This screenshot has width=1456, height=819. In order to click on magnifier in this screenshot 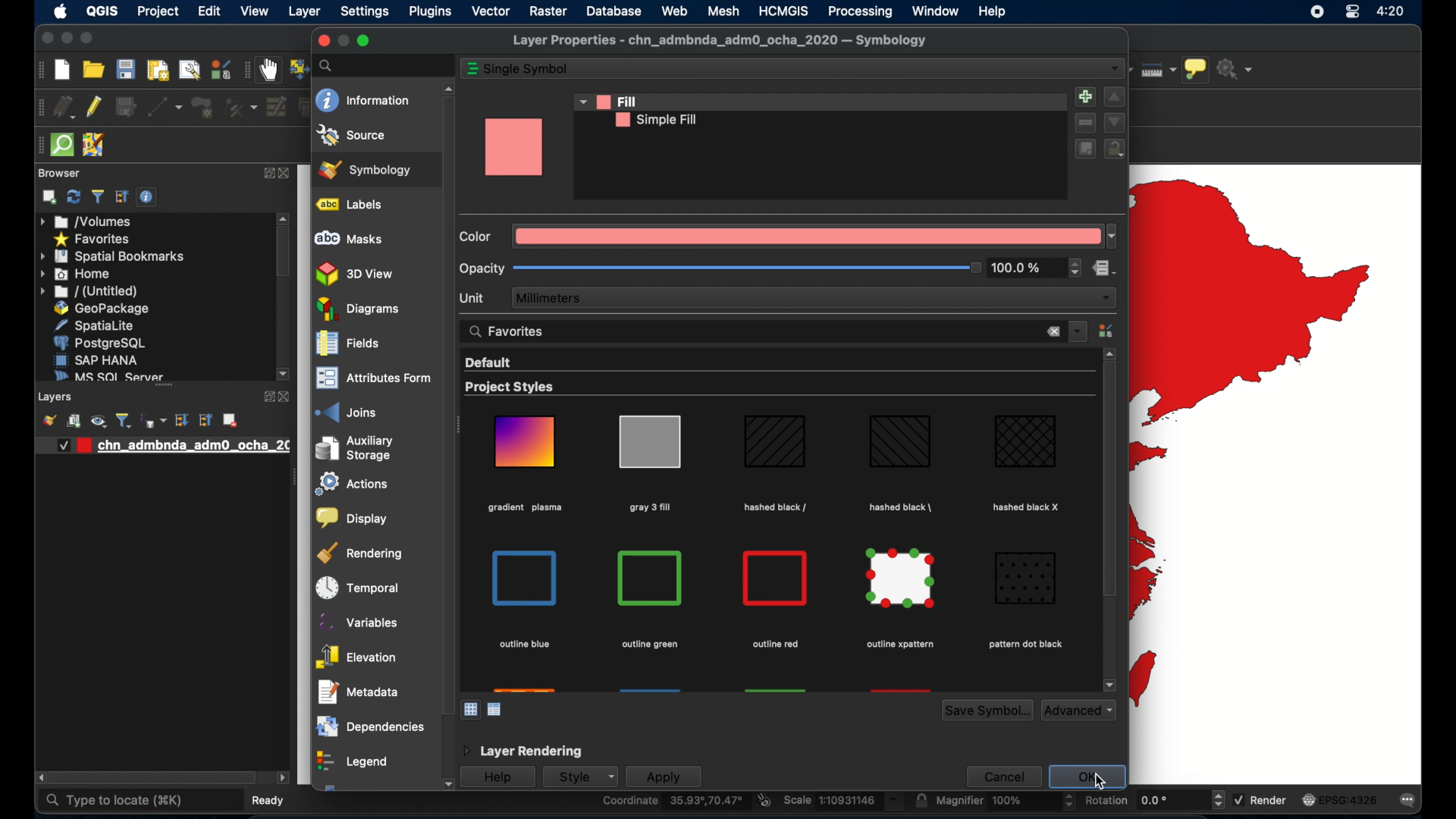, I will do `click(996, 802)`.